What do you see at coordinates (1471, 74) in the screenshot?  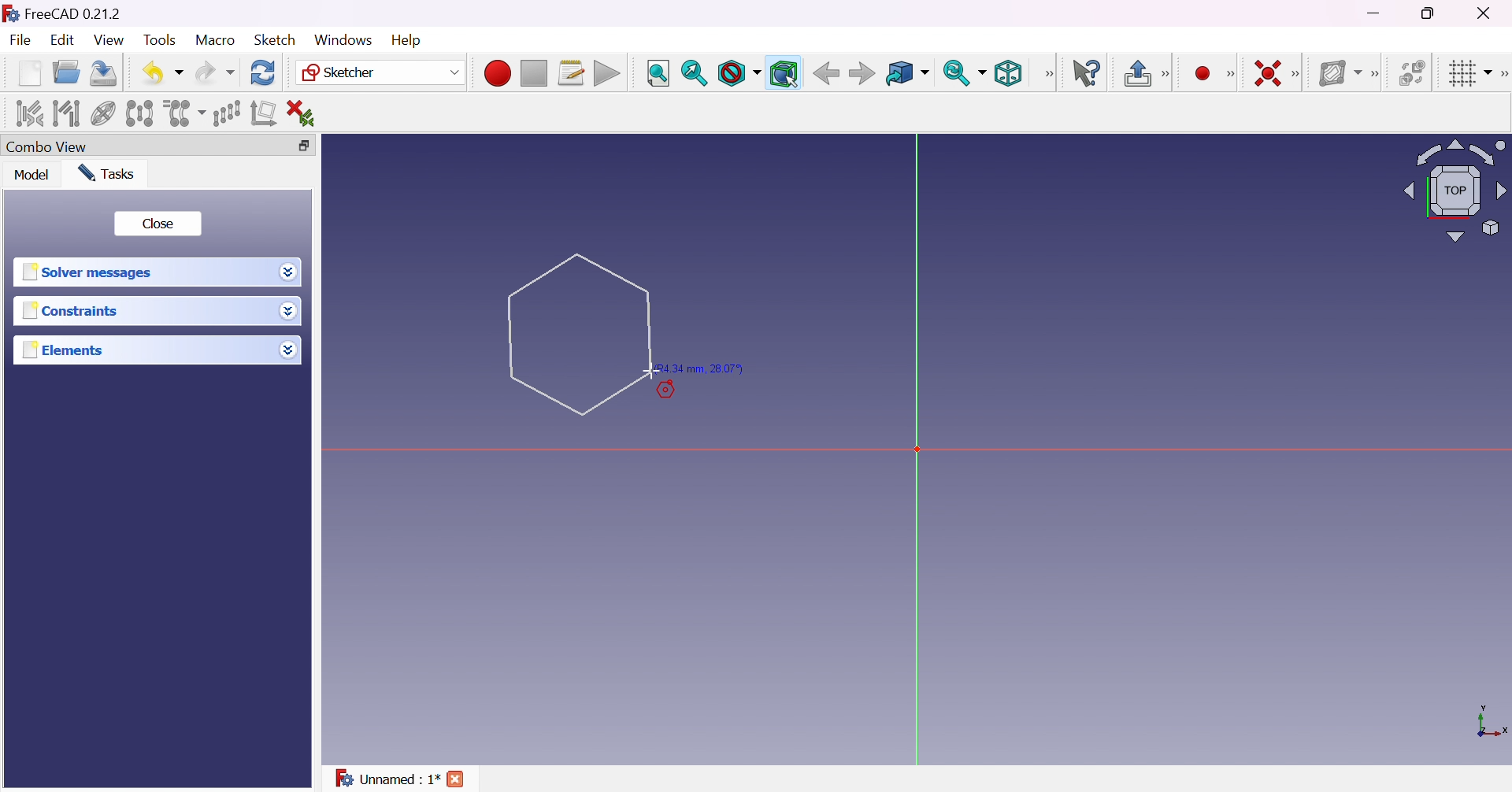 I see `Toggle grid` at bounding box center [1471, 74].